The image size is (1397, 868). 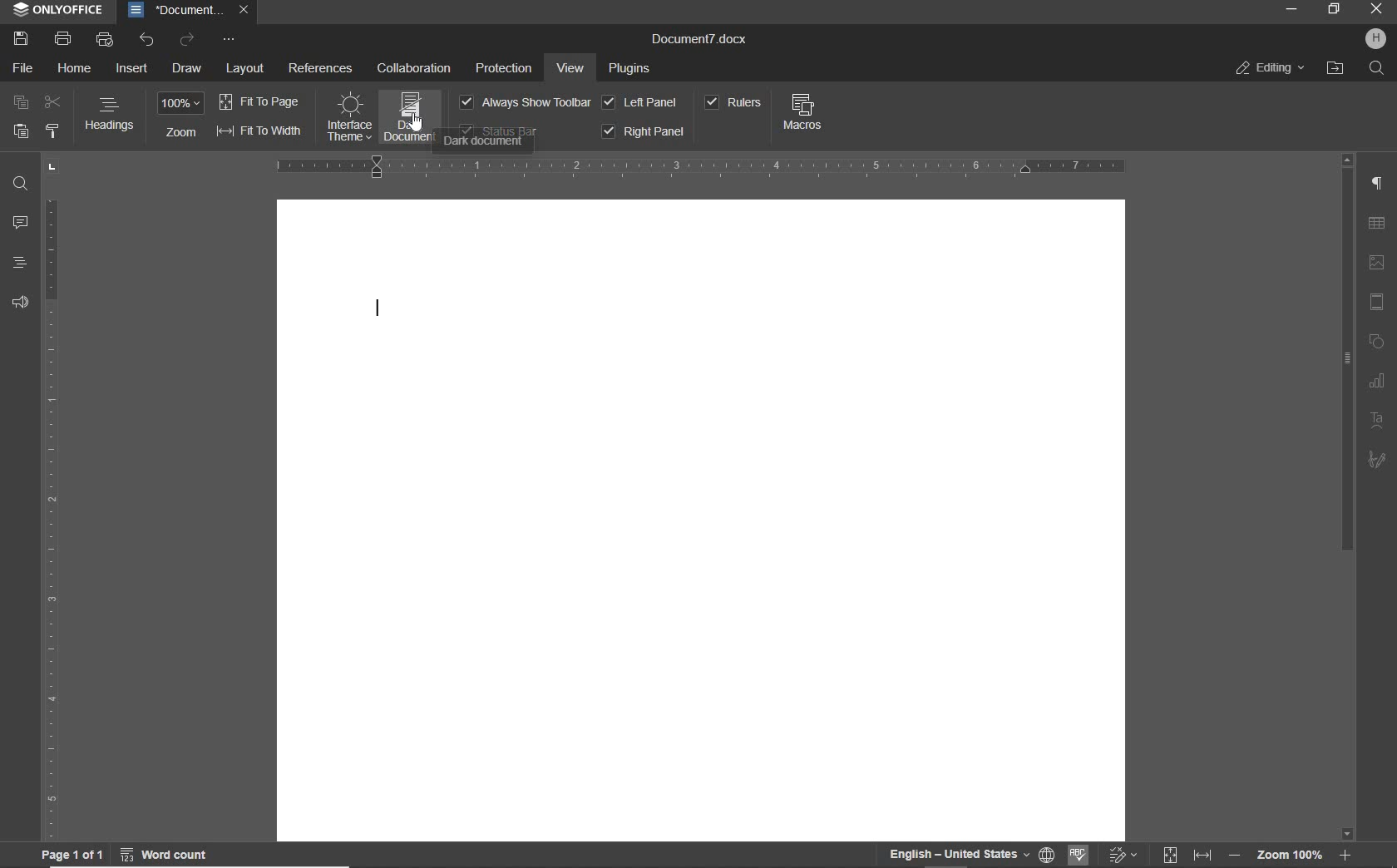 I want to click on STATUS BBAR, so click(x=499, y=131).